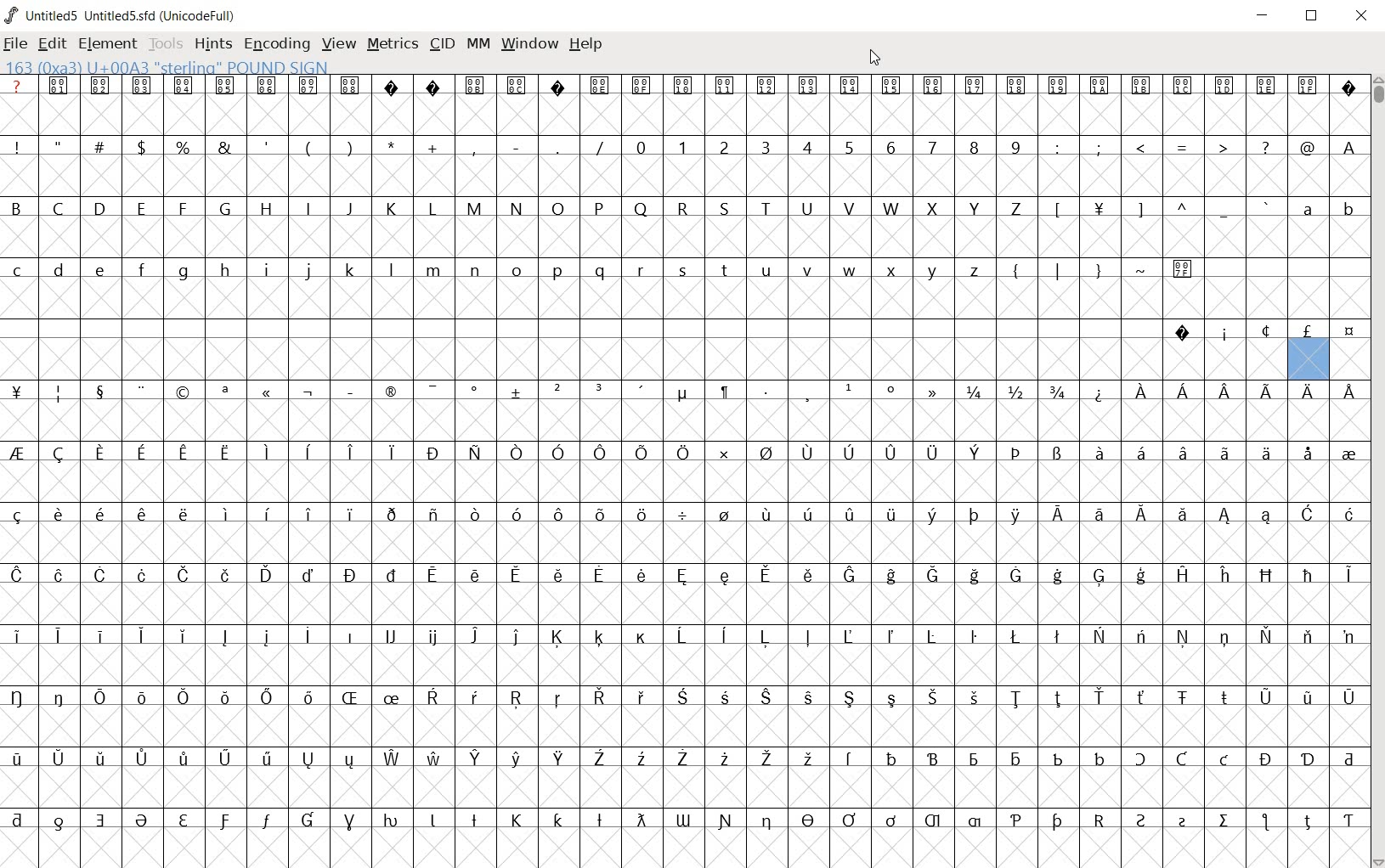 This screenshot has width=1385, height=868. What do you see at coordinates (432, 516) in the screenshot?
I see `Symbol` at bounding box center [432, 516].